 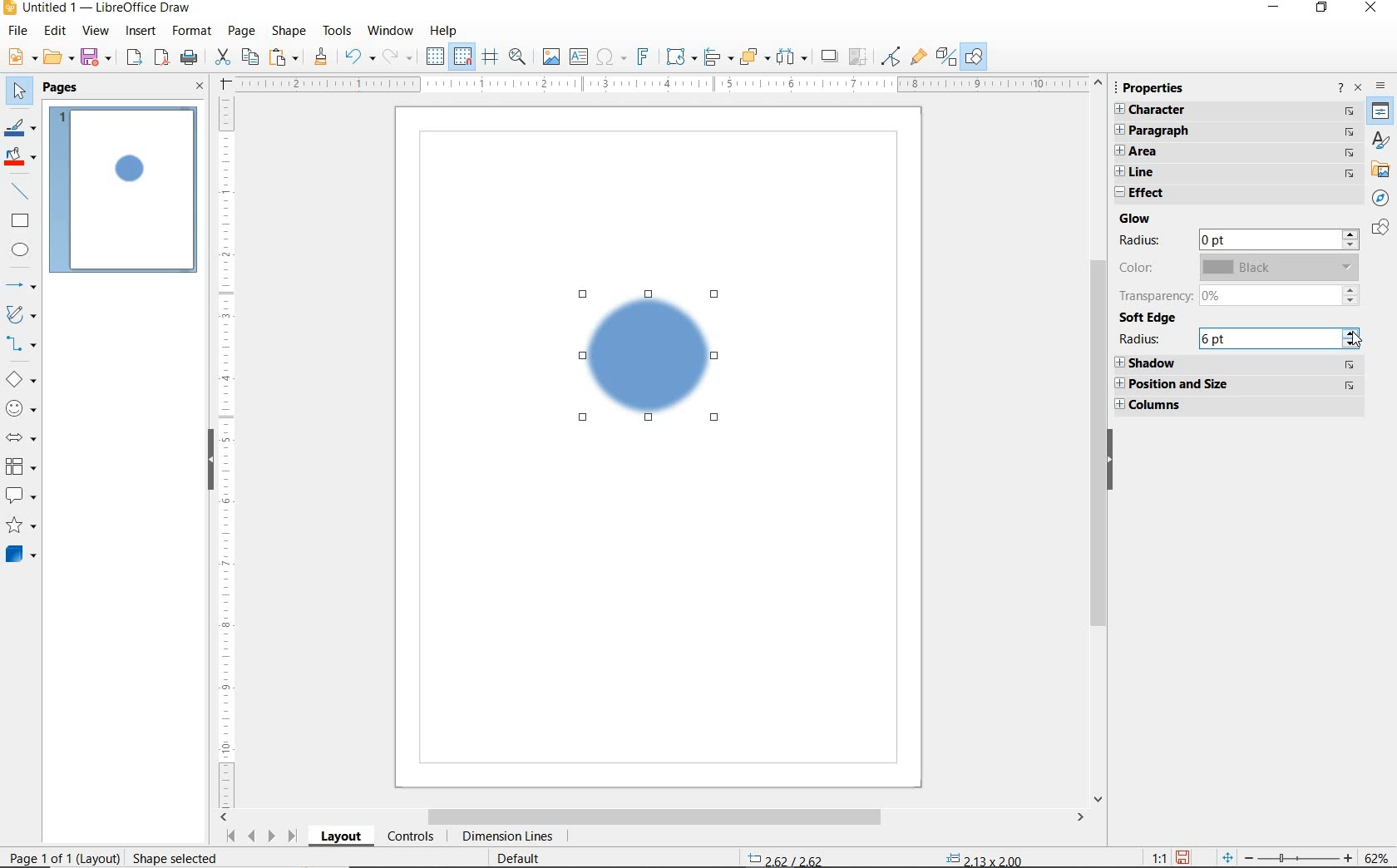 I want to click on SYMBOL SHAPES, so click(x=22, y=407).